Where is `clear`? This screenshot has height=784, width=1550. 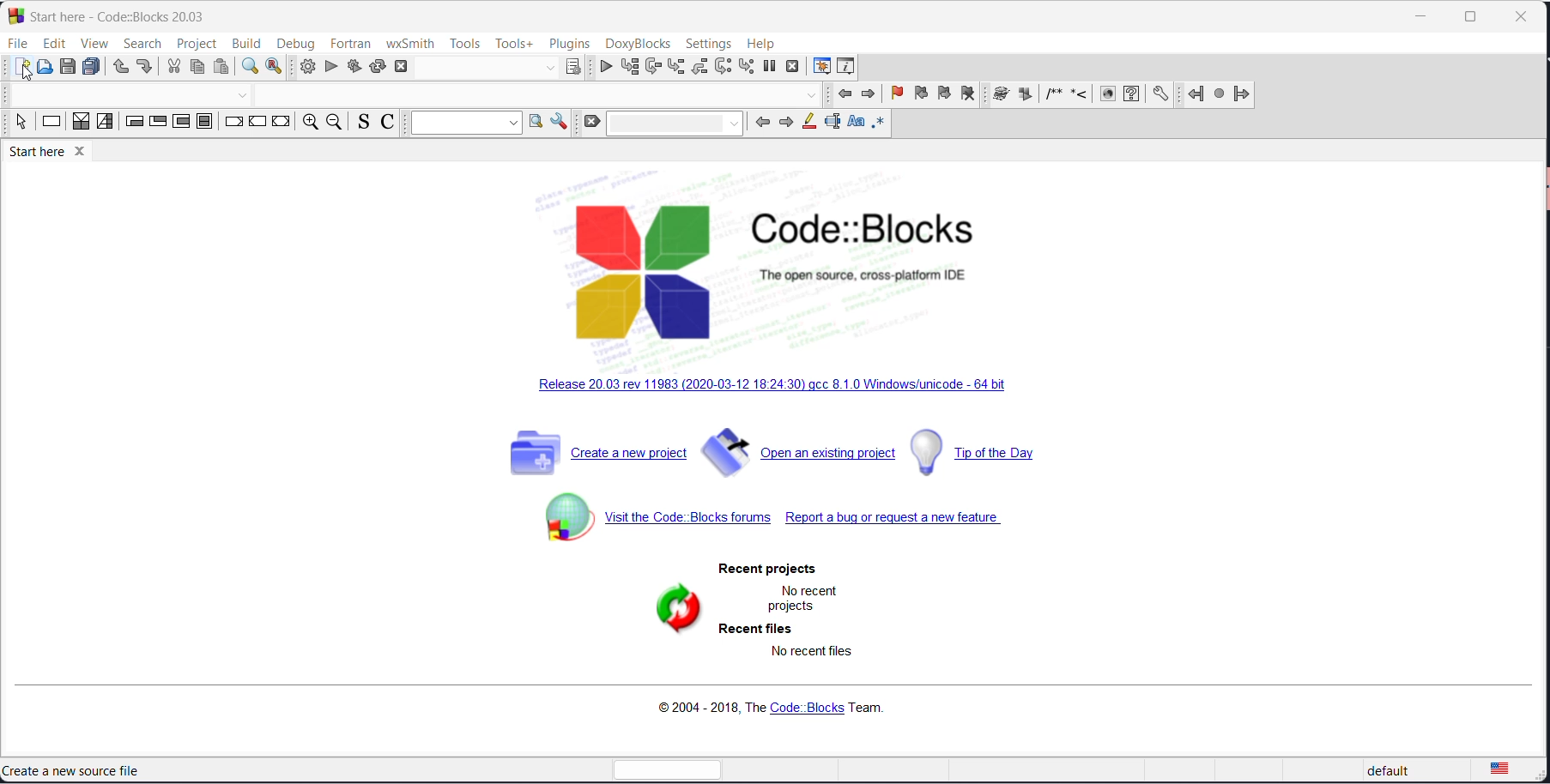
clear is located at coordinates (590, 124).